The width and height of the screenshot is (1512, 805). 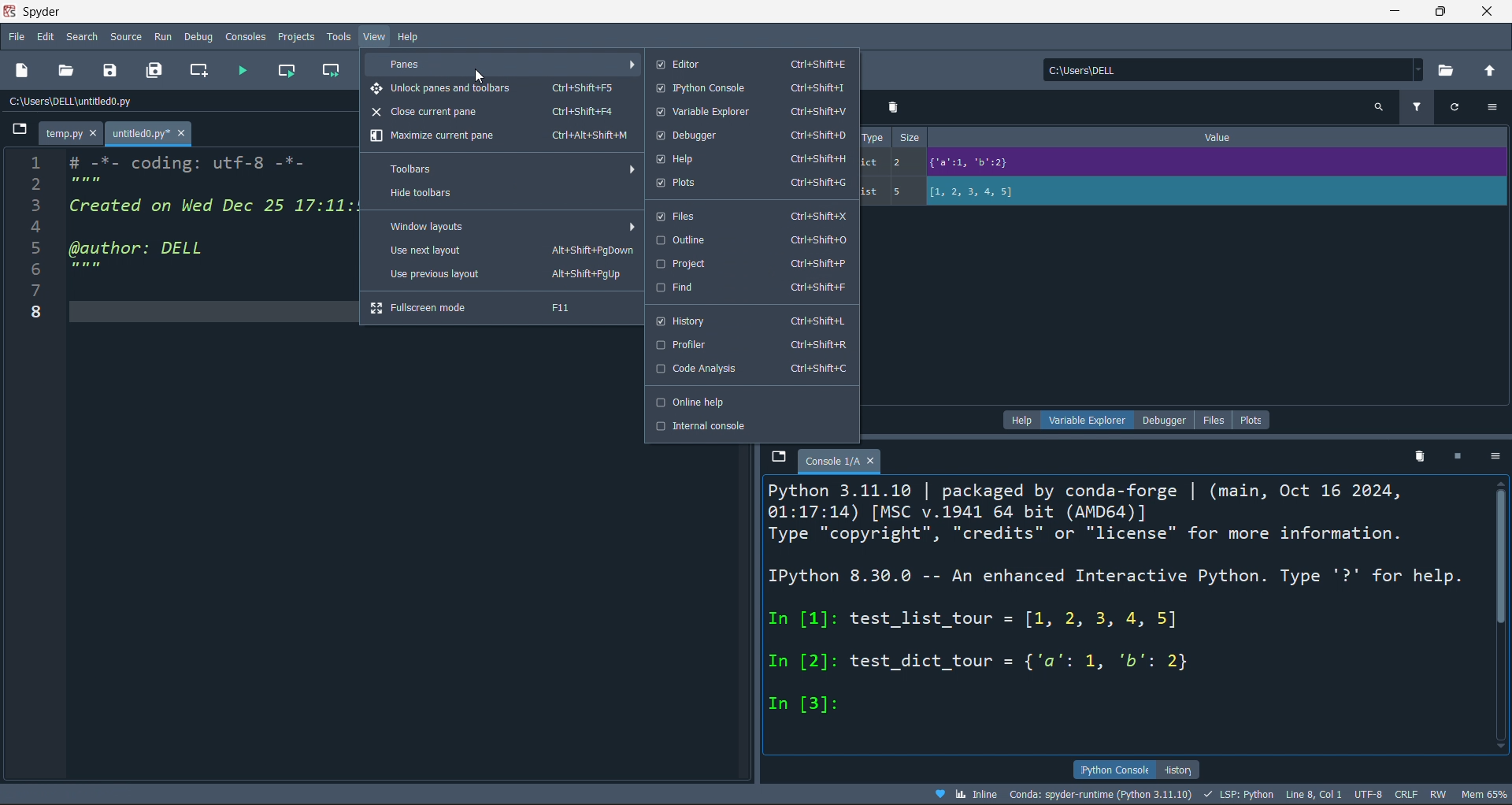 What do you see at coordinates (1498, 457) in the screenshot?
I see `more options` at bounding box center [1498, 457].